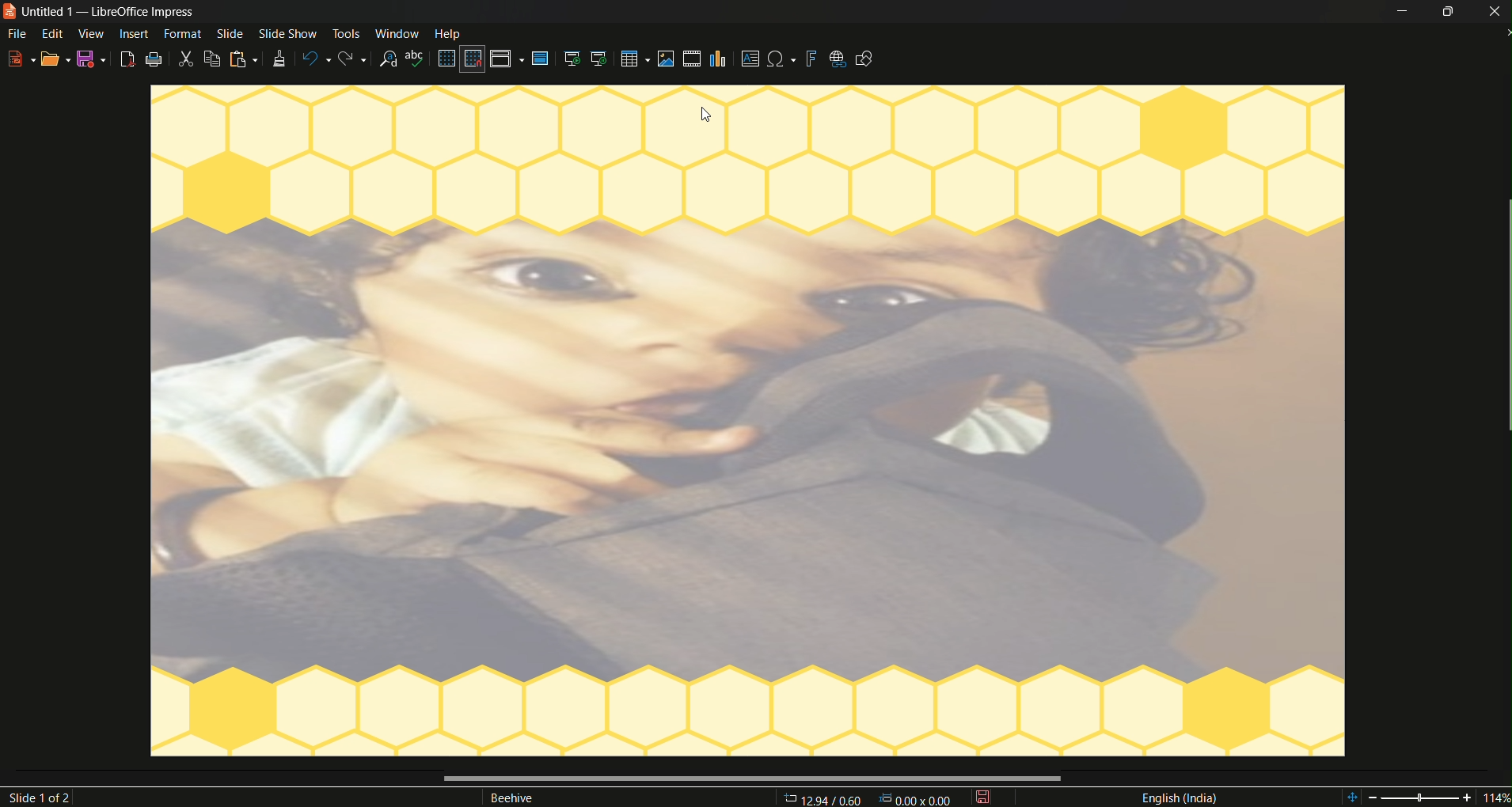  I want to click on save, so click(92, 60).